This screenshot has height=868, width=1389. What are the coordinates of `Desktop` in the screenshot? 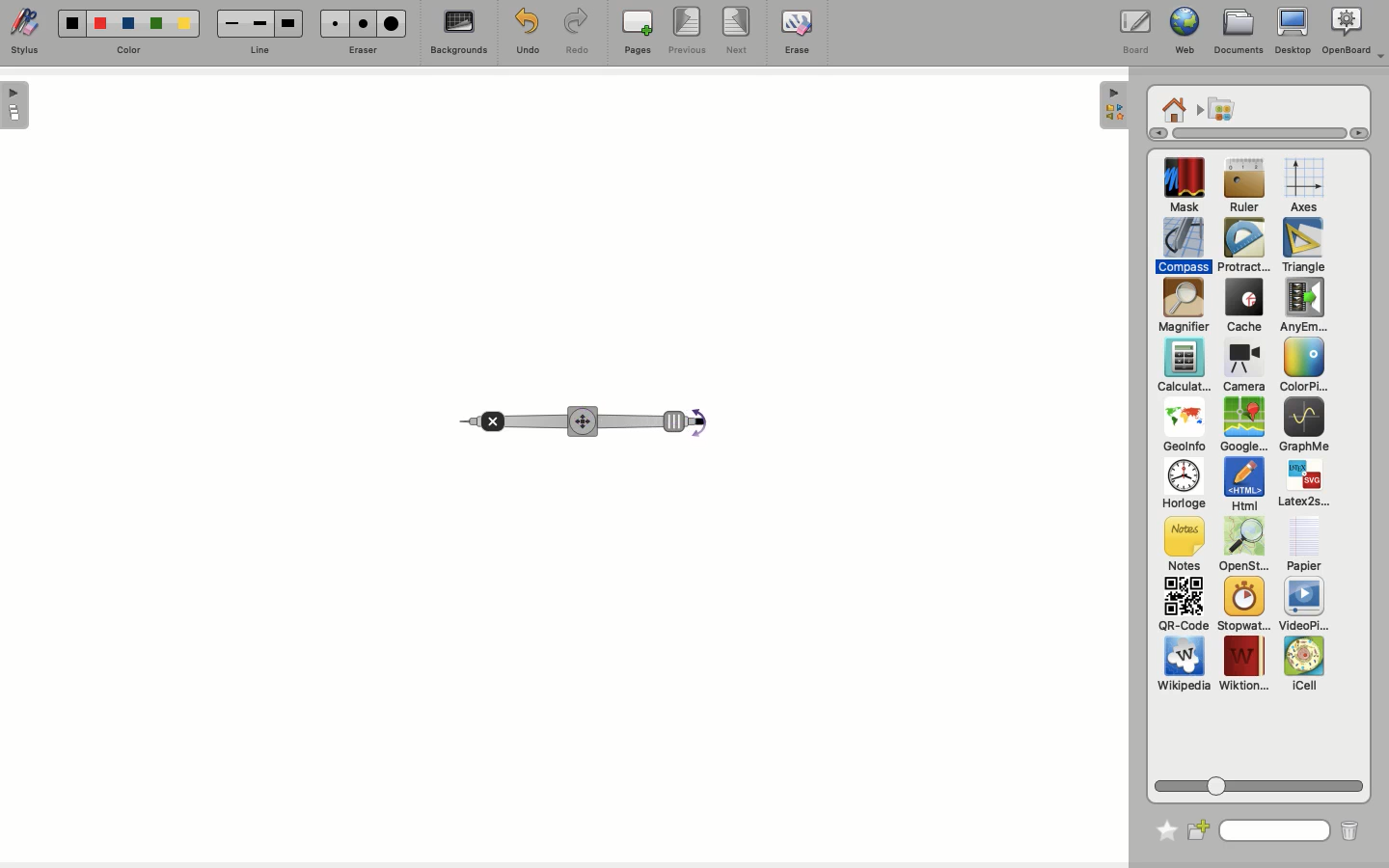 It's located at (1293, 35).